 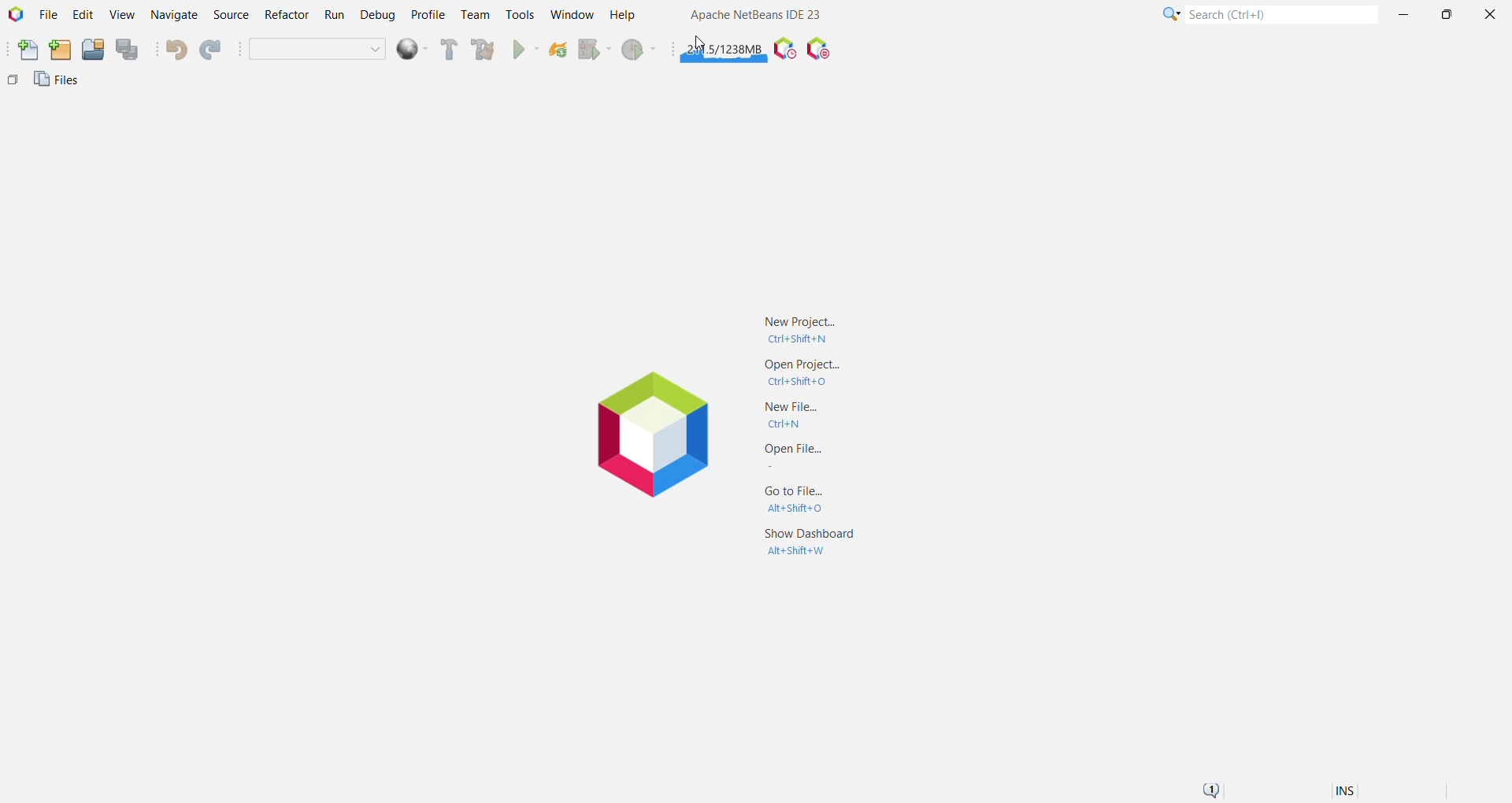 I want to click on Team, so click(x=474, y=15).